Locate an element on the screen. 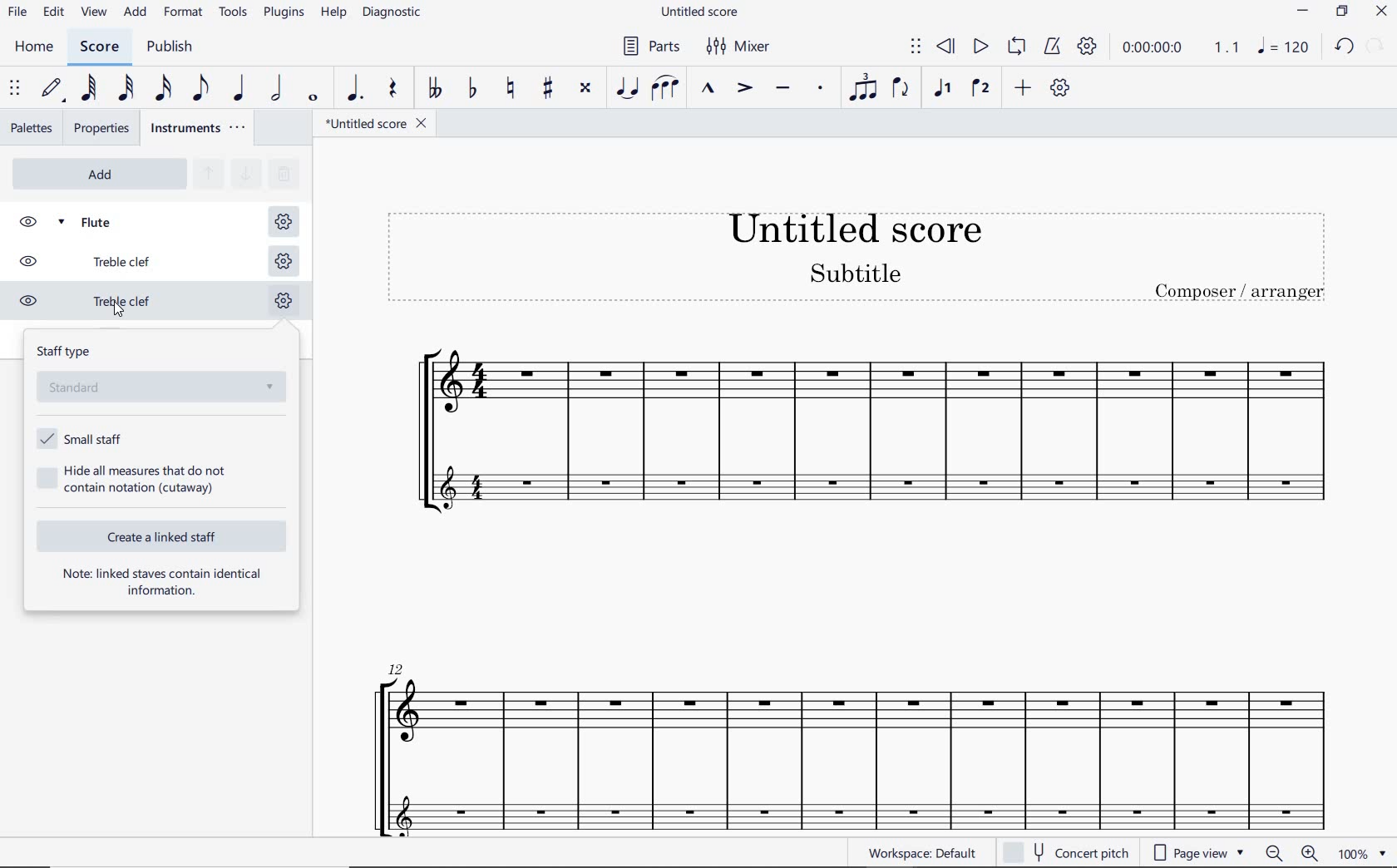 The image size is (1397, 868). CREATE A LINKED STAFF is located at coordinates (165, 536).